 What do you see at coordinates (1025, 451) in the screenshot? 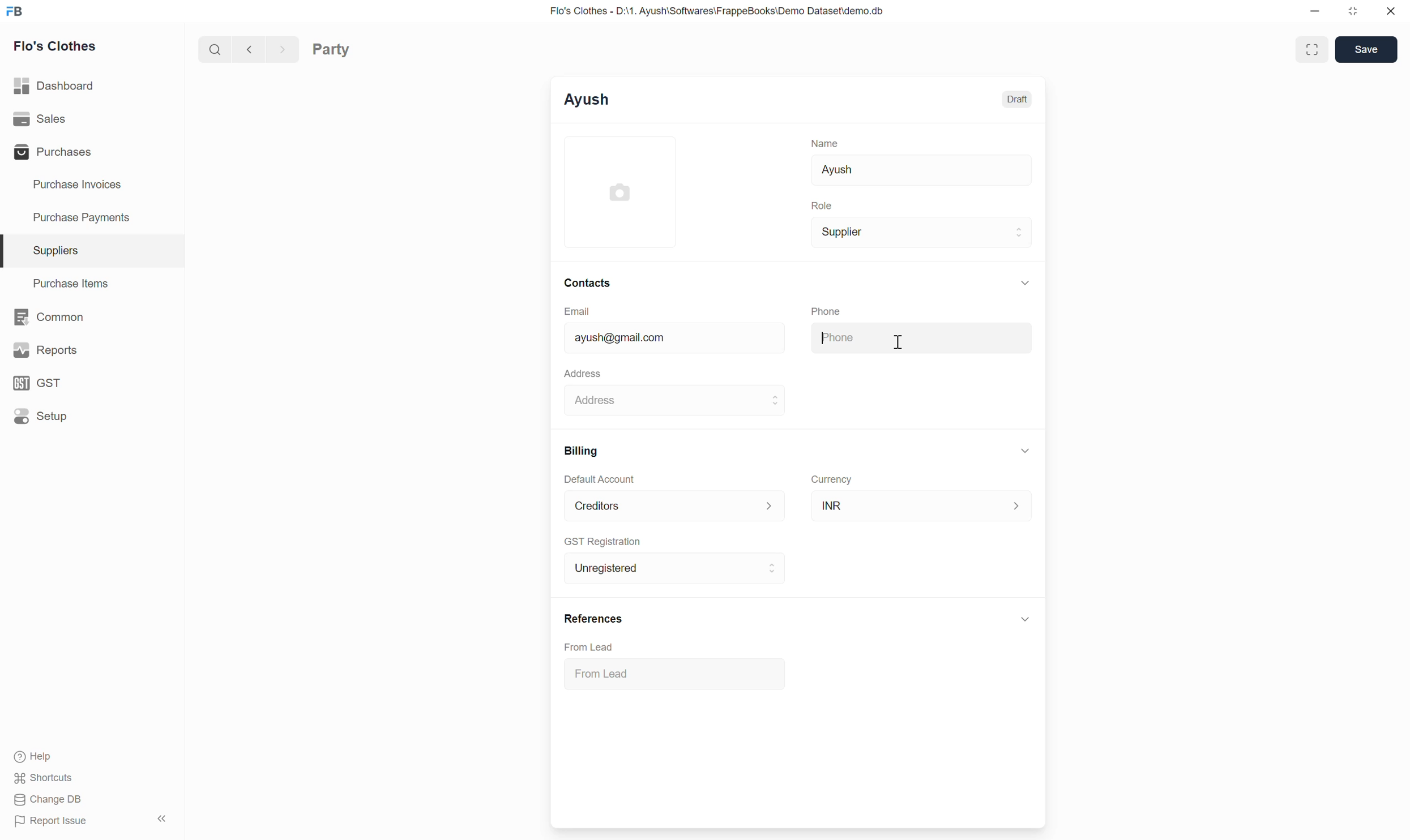
I see `Collapse` at bounding box center [1025, 451].